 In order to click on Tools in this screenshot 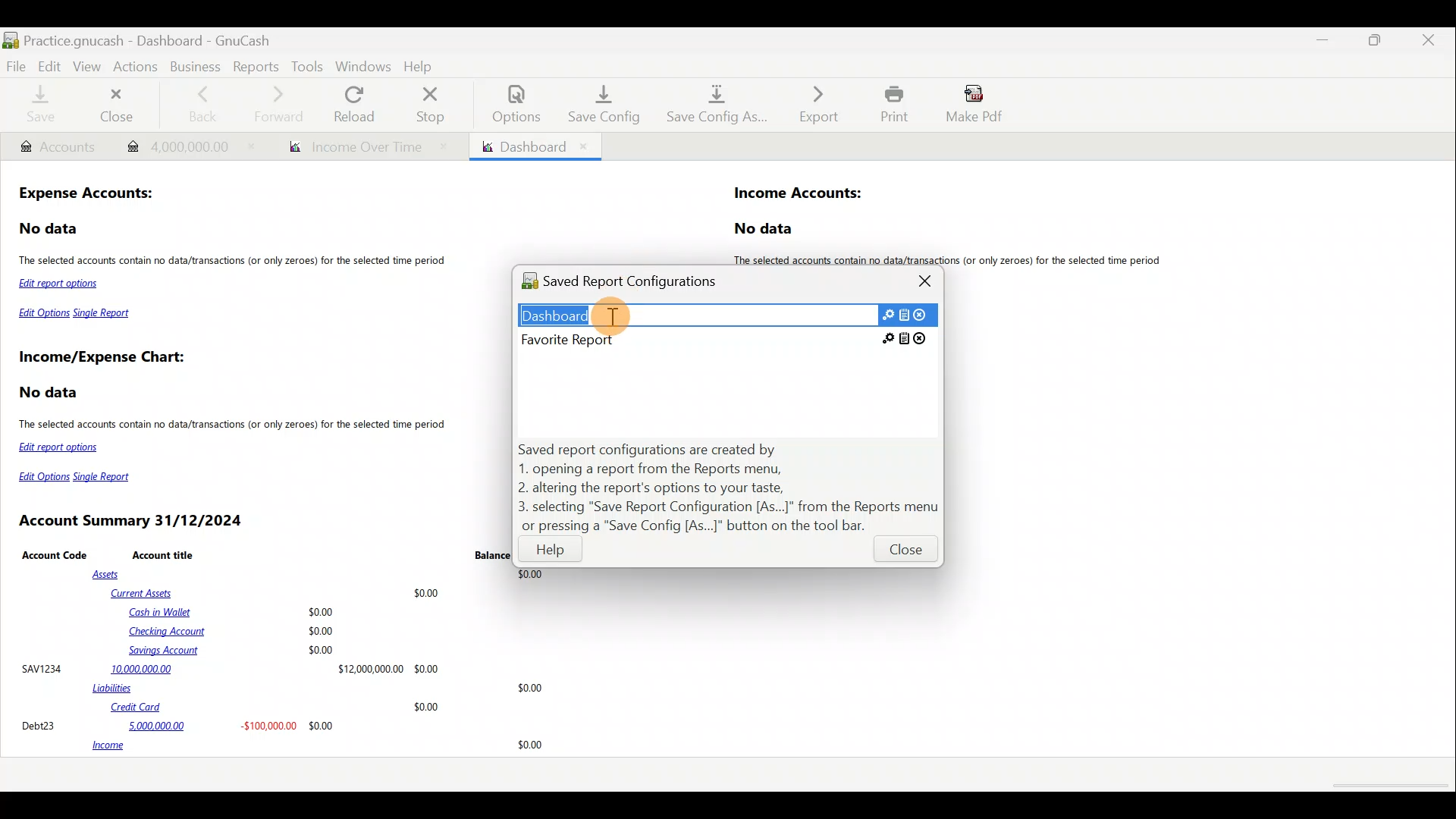, I will do `click(307, 66)`.